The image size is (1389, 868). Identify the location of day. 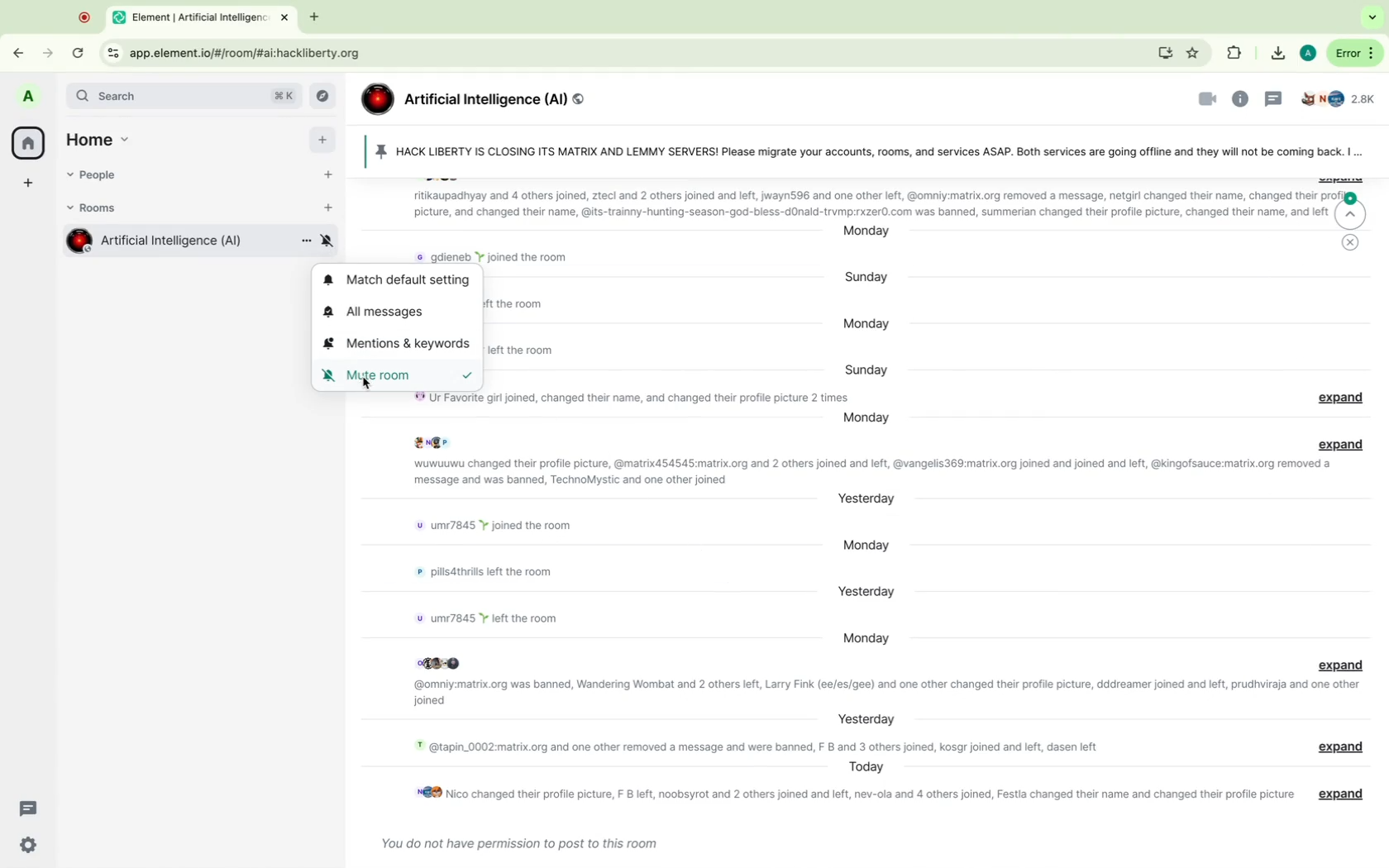
(867, 235).